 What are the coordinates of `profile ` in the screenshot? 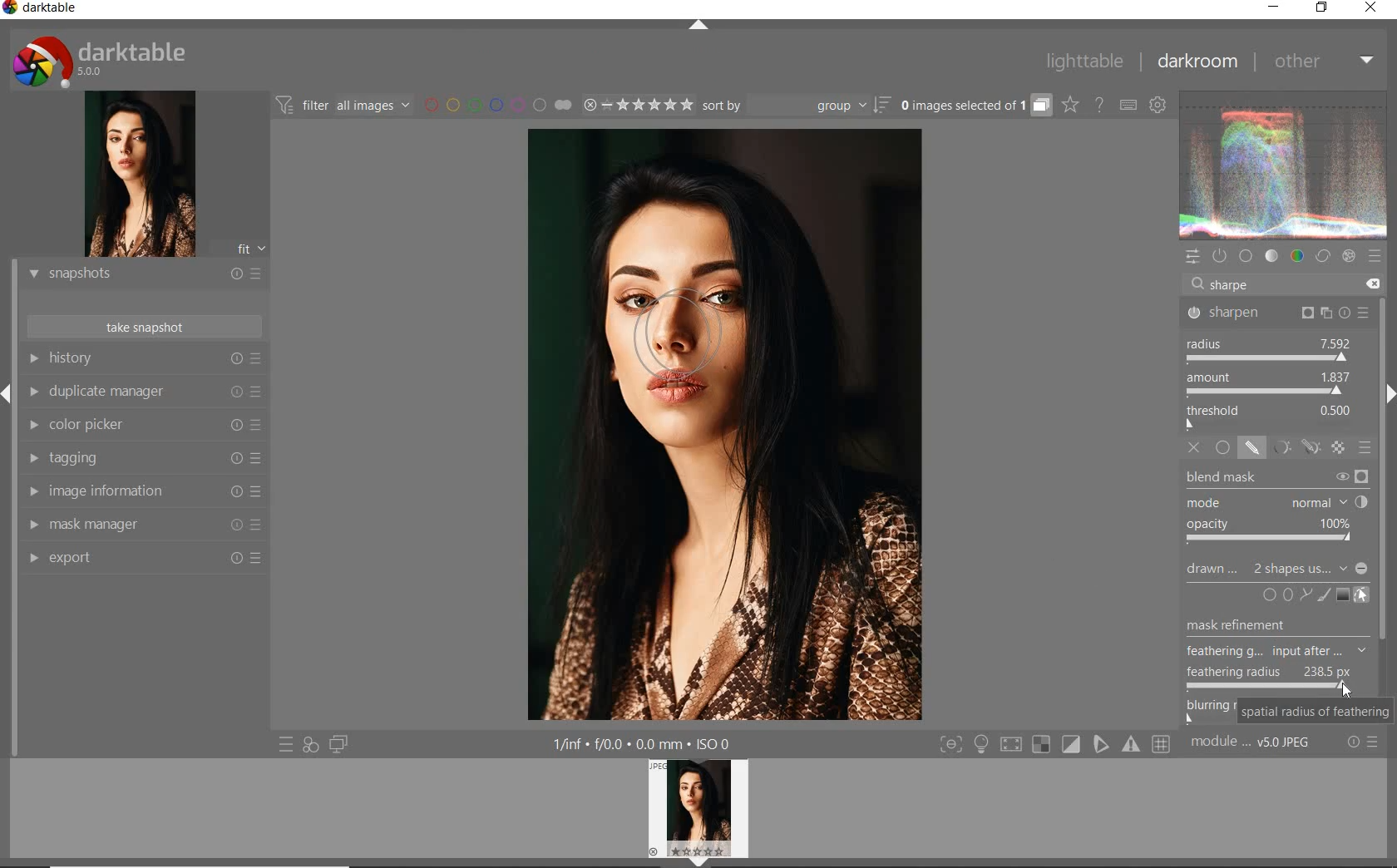 It's located at (708, 810).